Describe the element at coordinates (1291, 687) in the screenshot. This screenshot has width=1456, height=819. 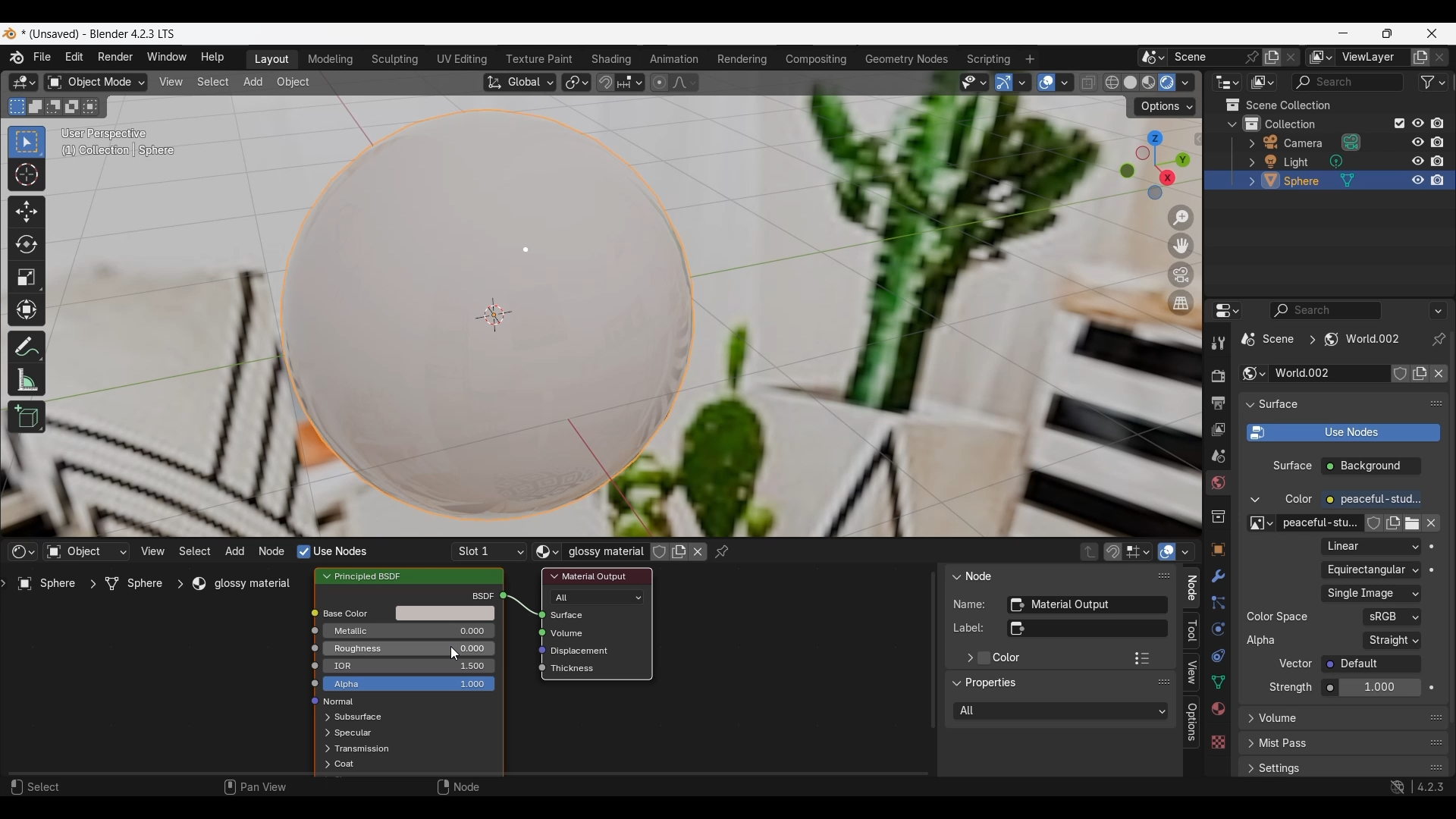
I see `Strength ` at that location.